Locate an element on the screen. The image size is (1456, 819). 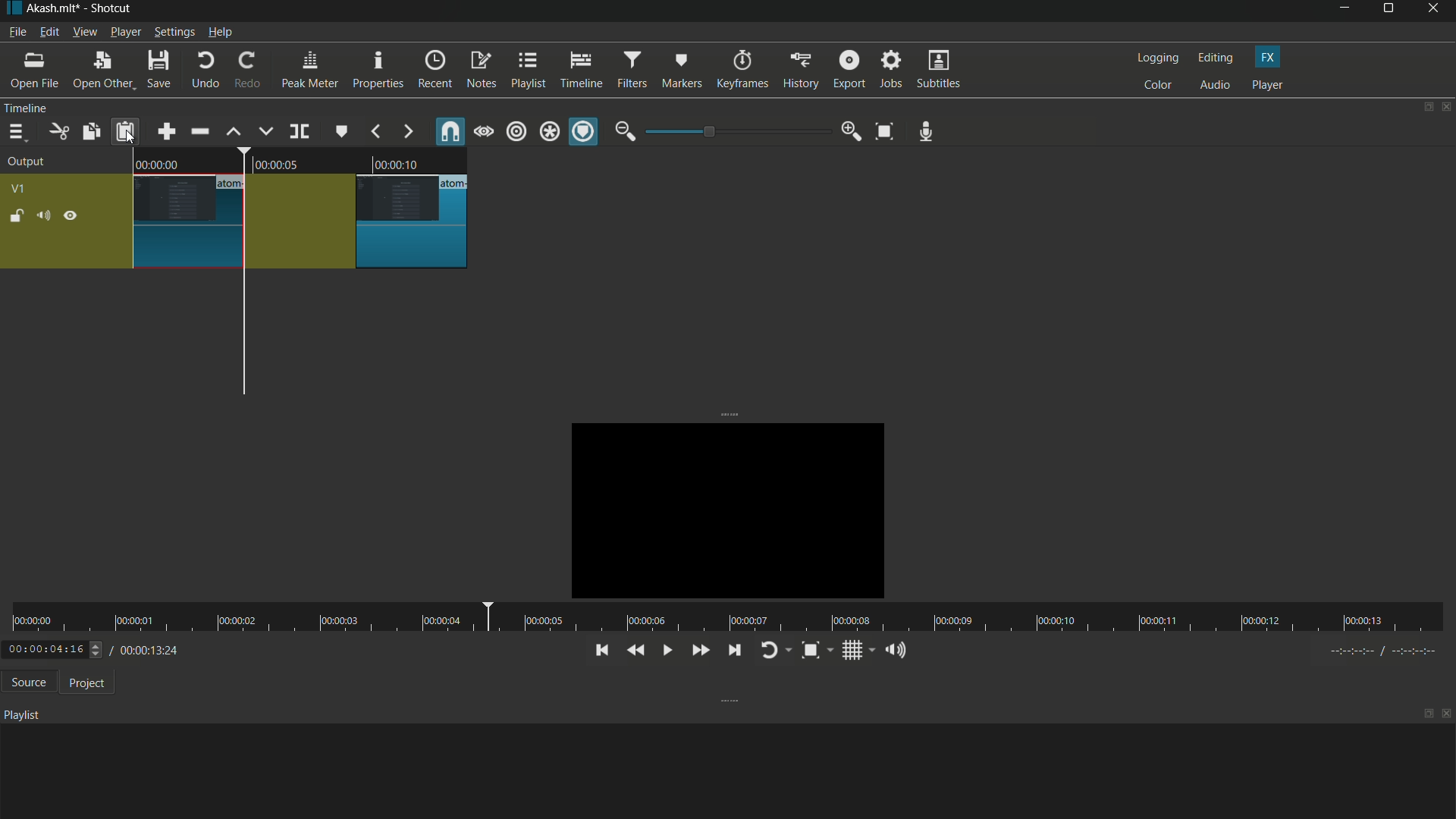
timeline is located at coordinates (581, 68).